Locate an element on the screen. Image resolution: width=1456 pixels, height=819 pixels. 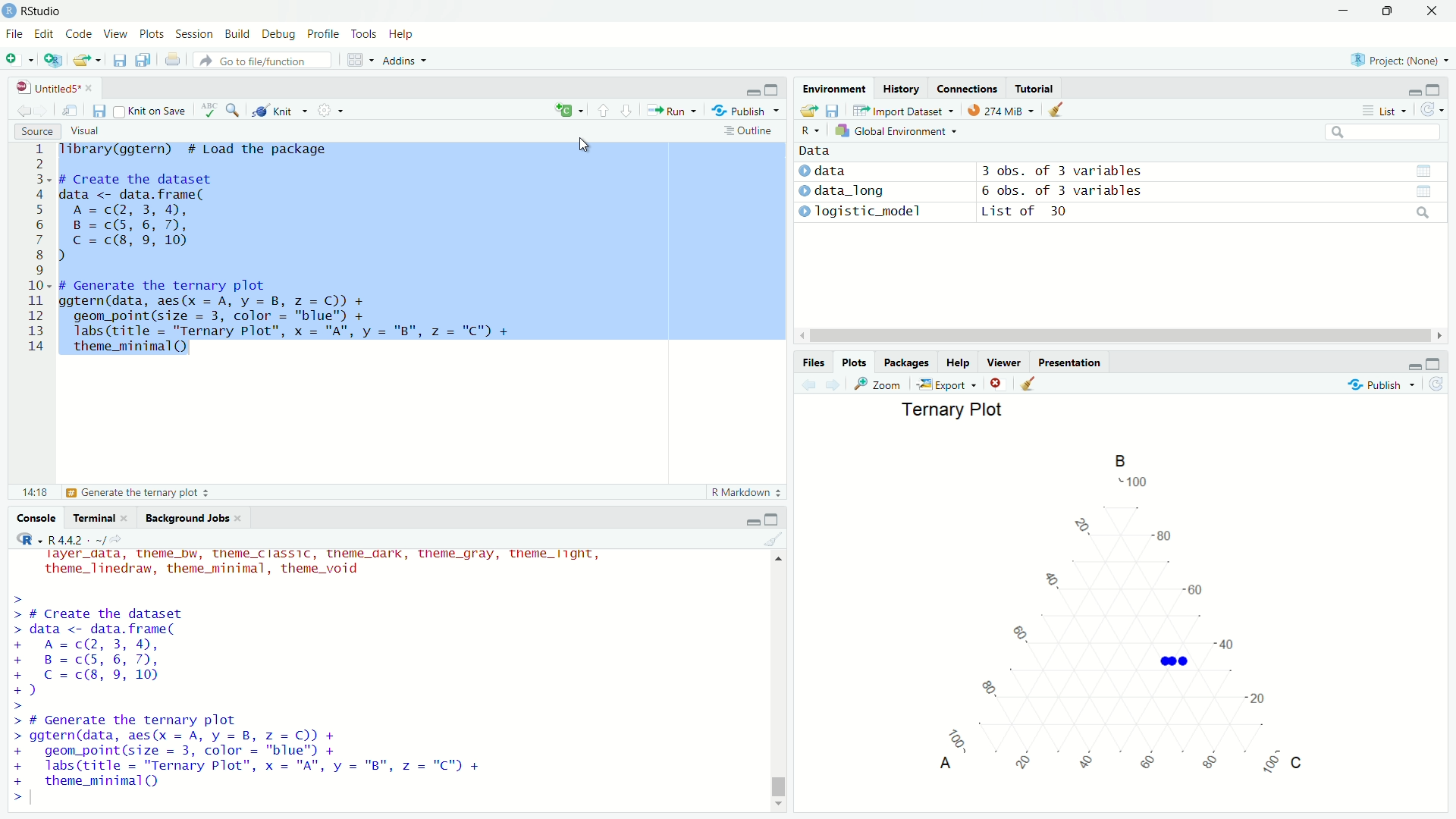
search is located at coordinates (1420, 214).